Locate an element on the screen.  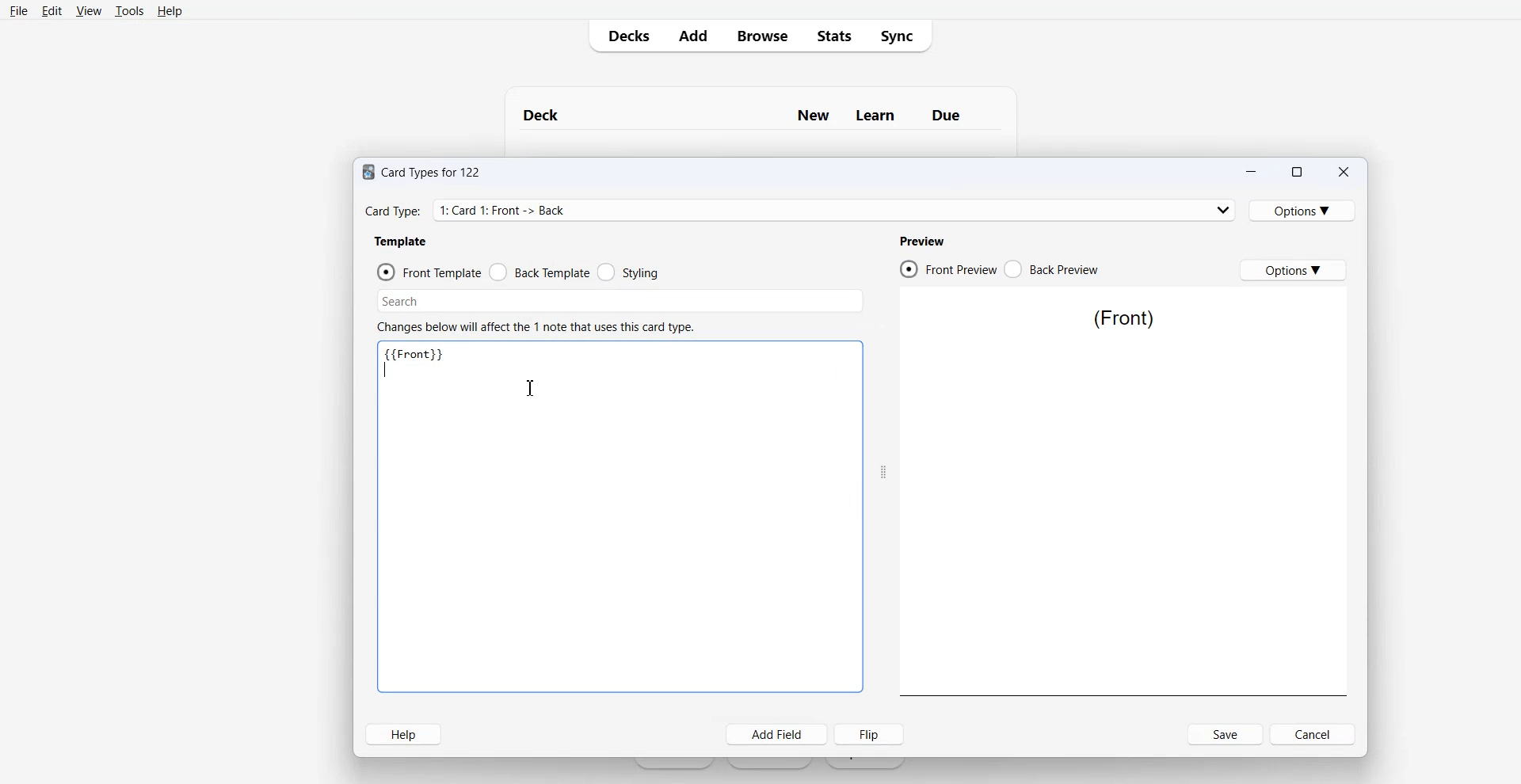
Help is located at coordinates (403, 734).